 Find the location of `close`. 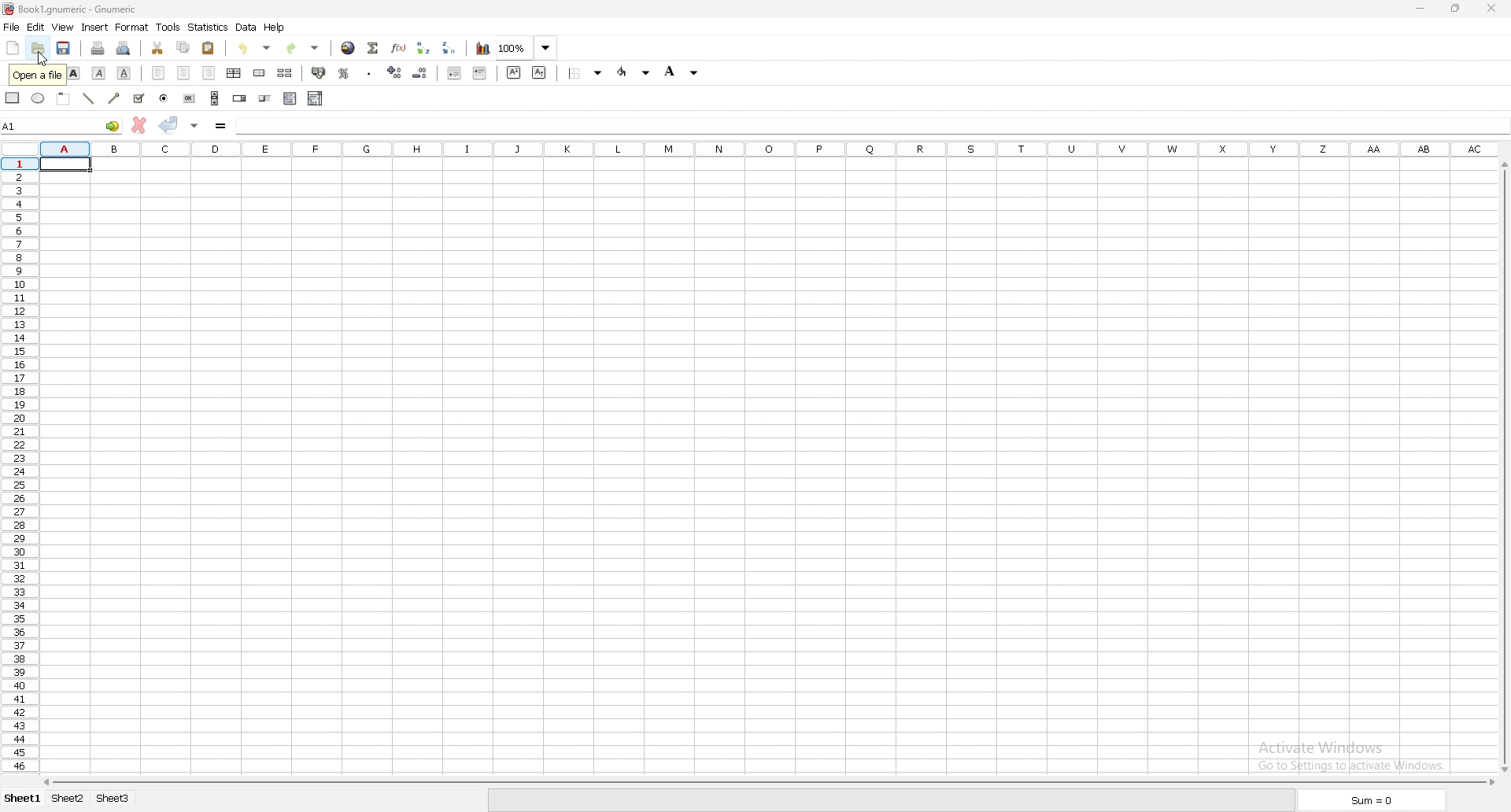

close is located at coordinates (1489, 8).